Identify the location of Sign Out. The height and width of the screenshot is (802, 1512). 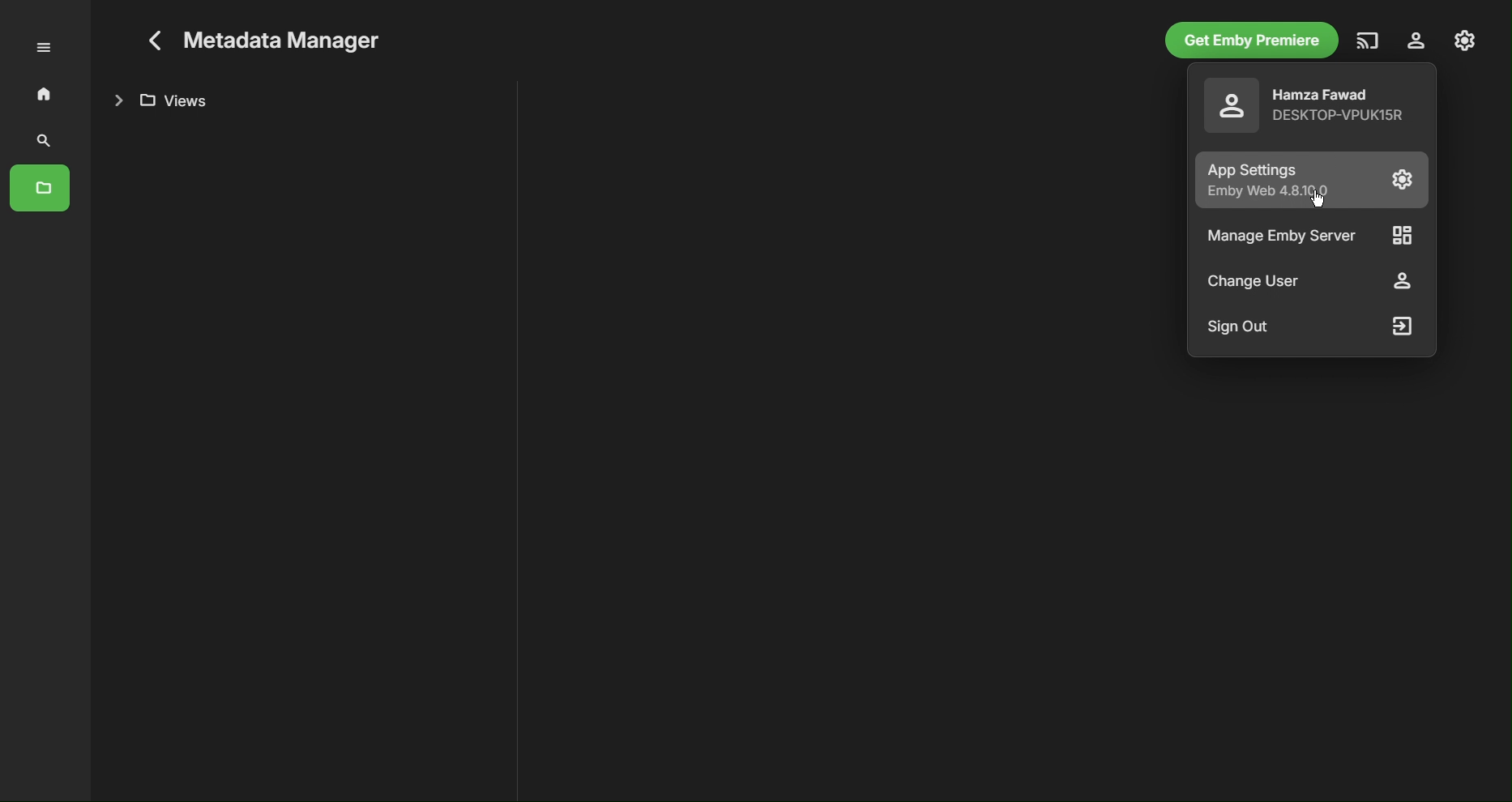
(1313, 330).